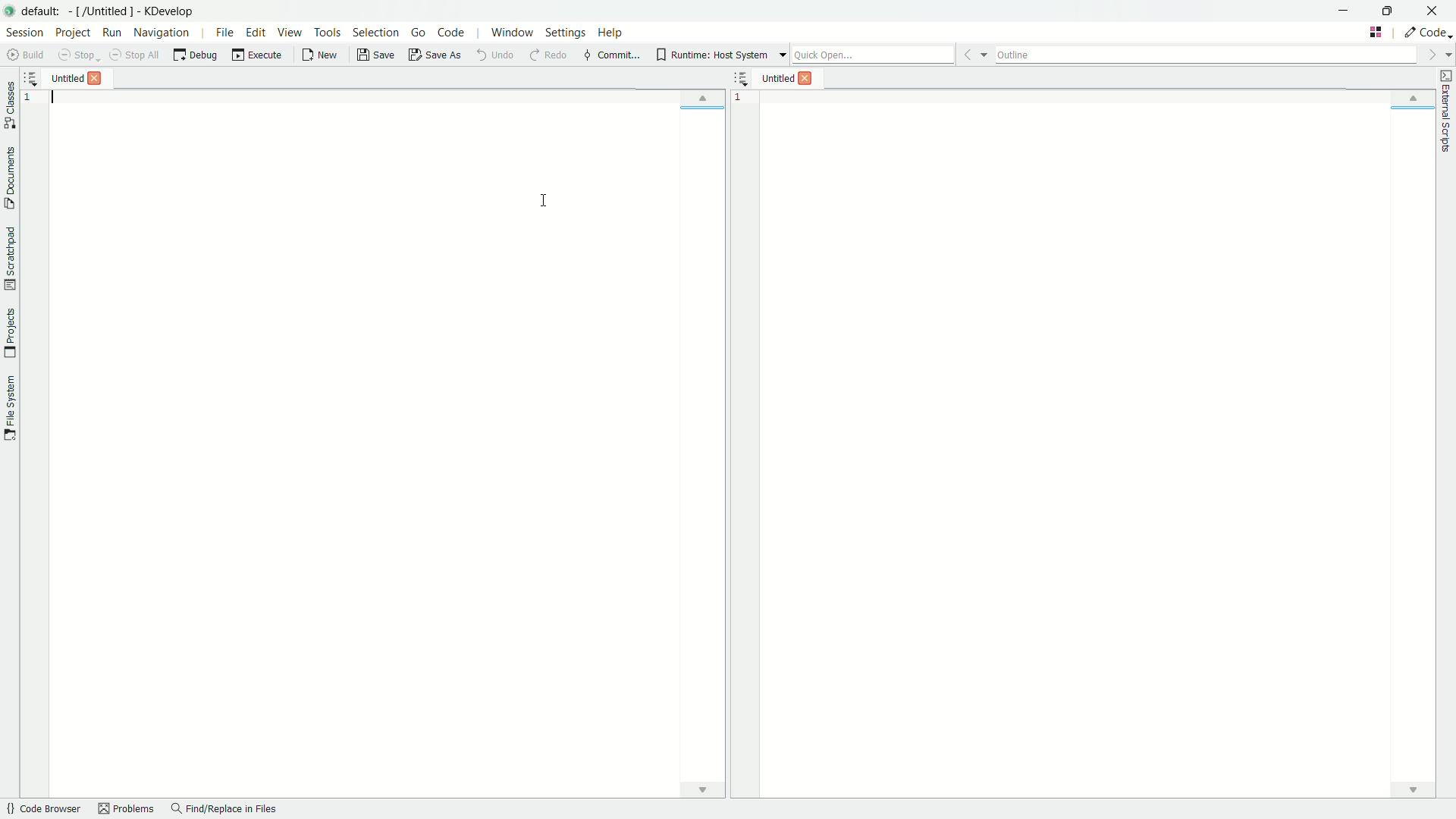  What do you see at coordinates (9, 11) in the screenshot?
I see `app icon` at bounding box center [9, 11].